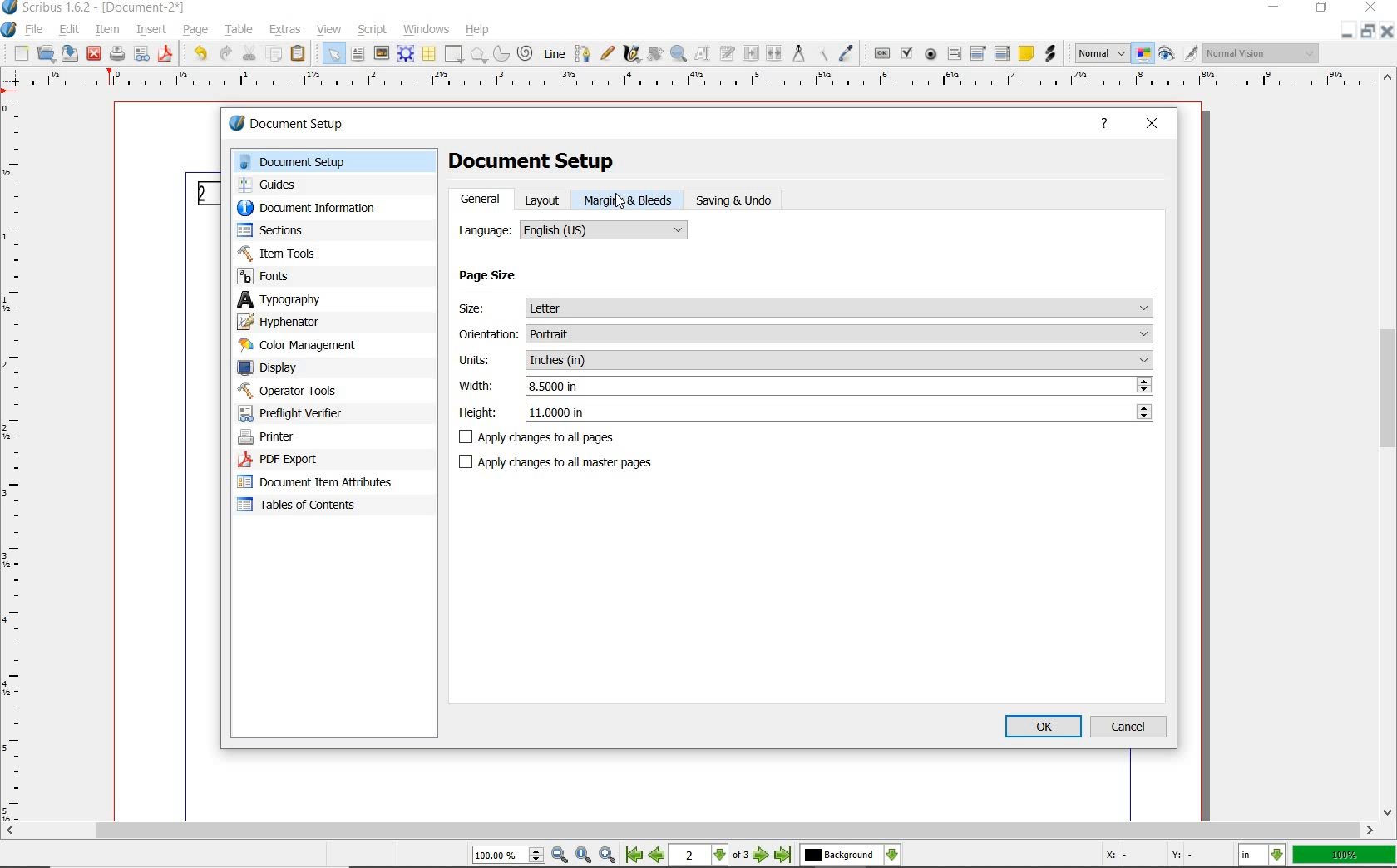  I want to click on pdf push button, so click(883, 54).